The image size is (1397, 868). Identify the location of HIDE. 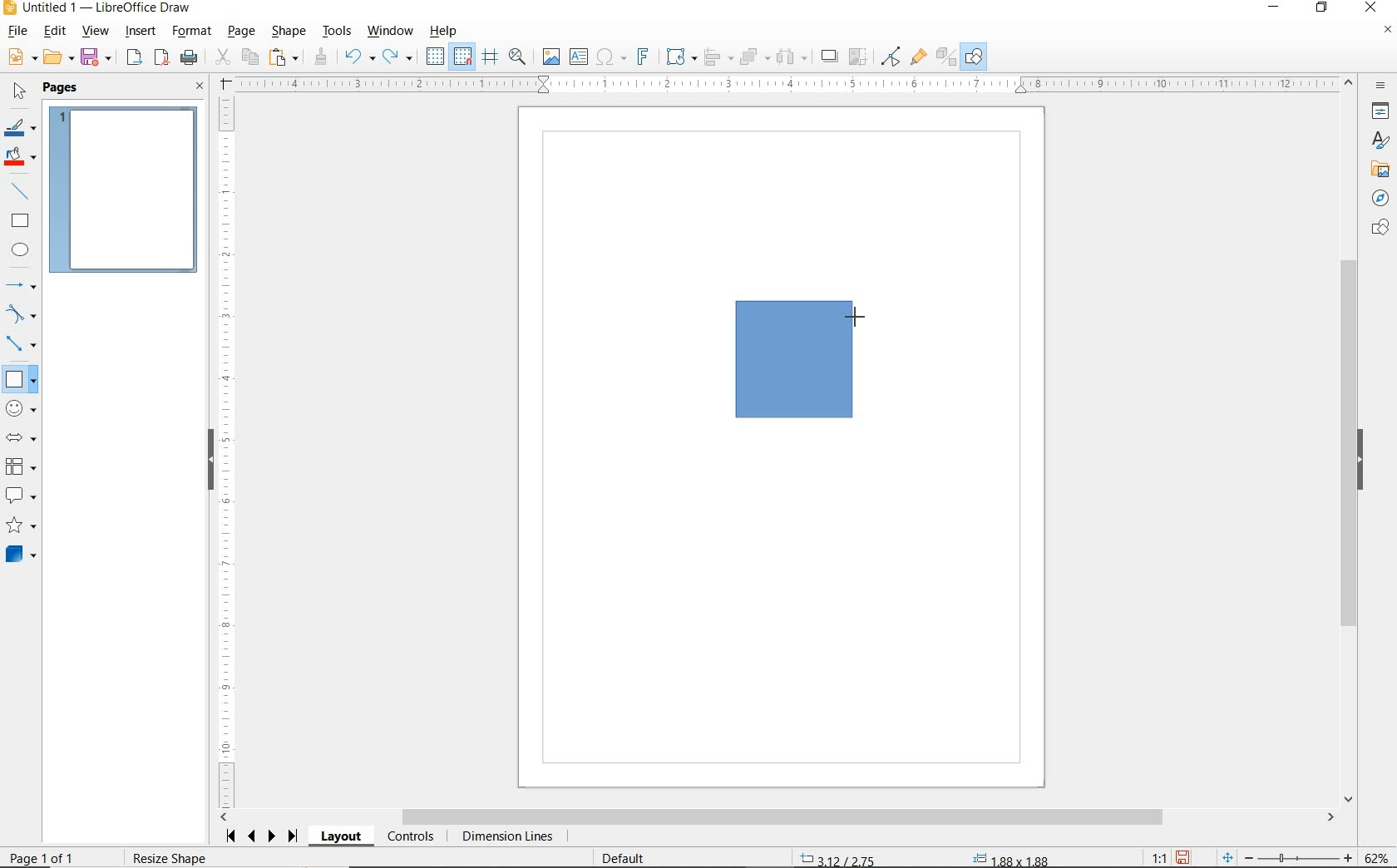
(1360, 461).